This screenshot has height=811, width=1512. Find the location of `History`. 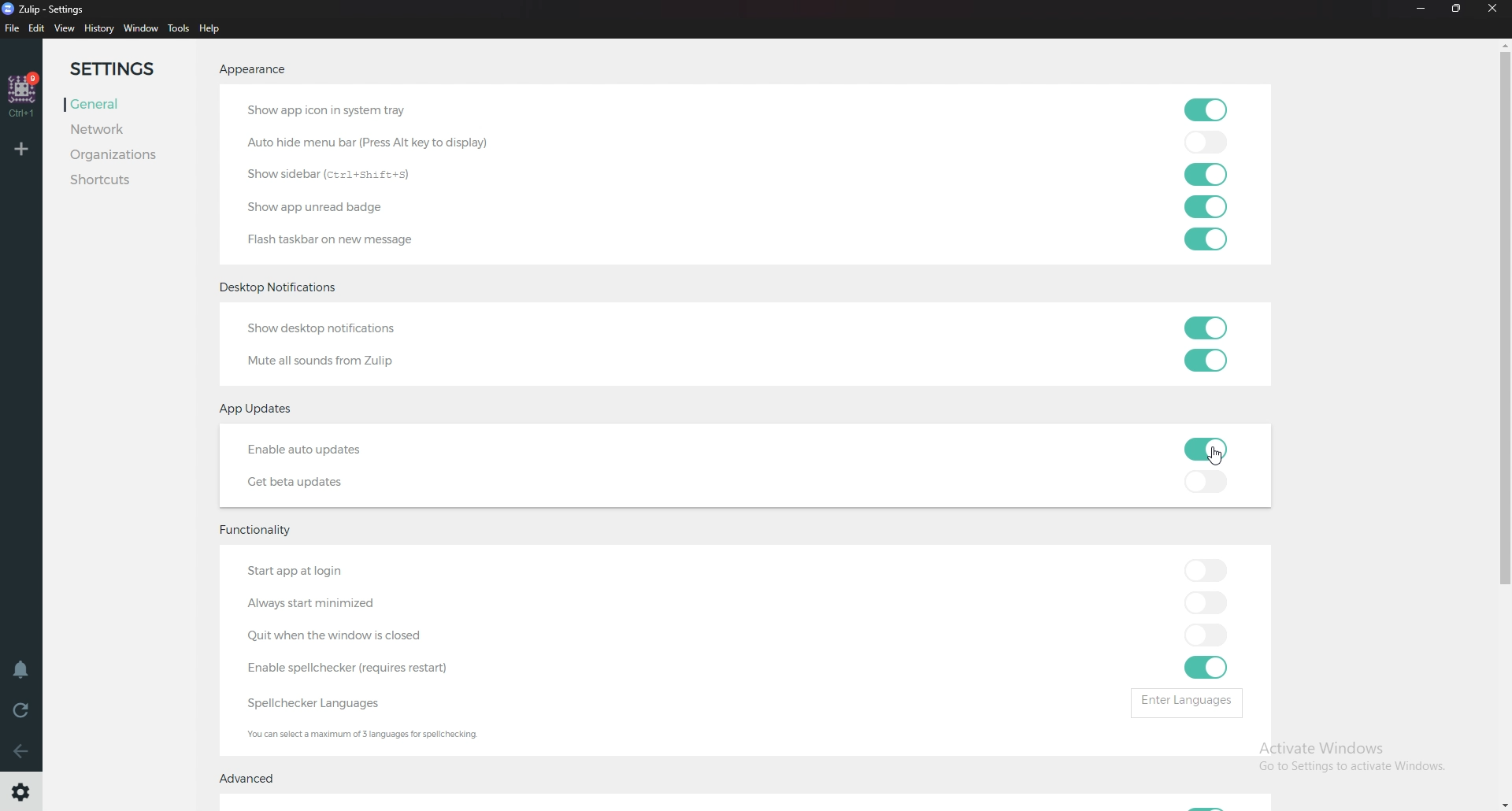

History is located at coordinates (99, 30).